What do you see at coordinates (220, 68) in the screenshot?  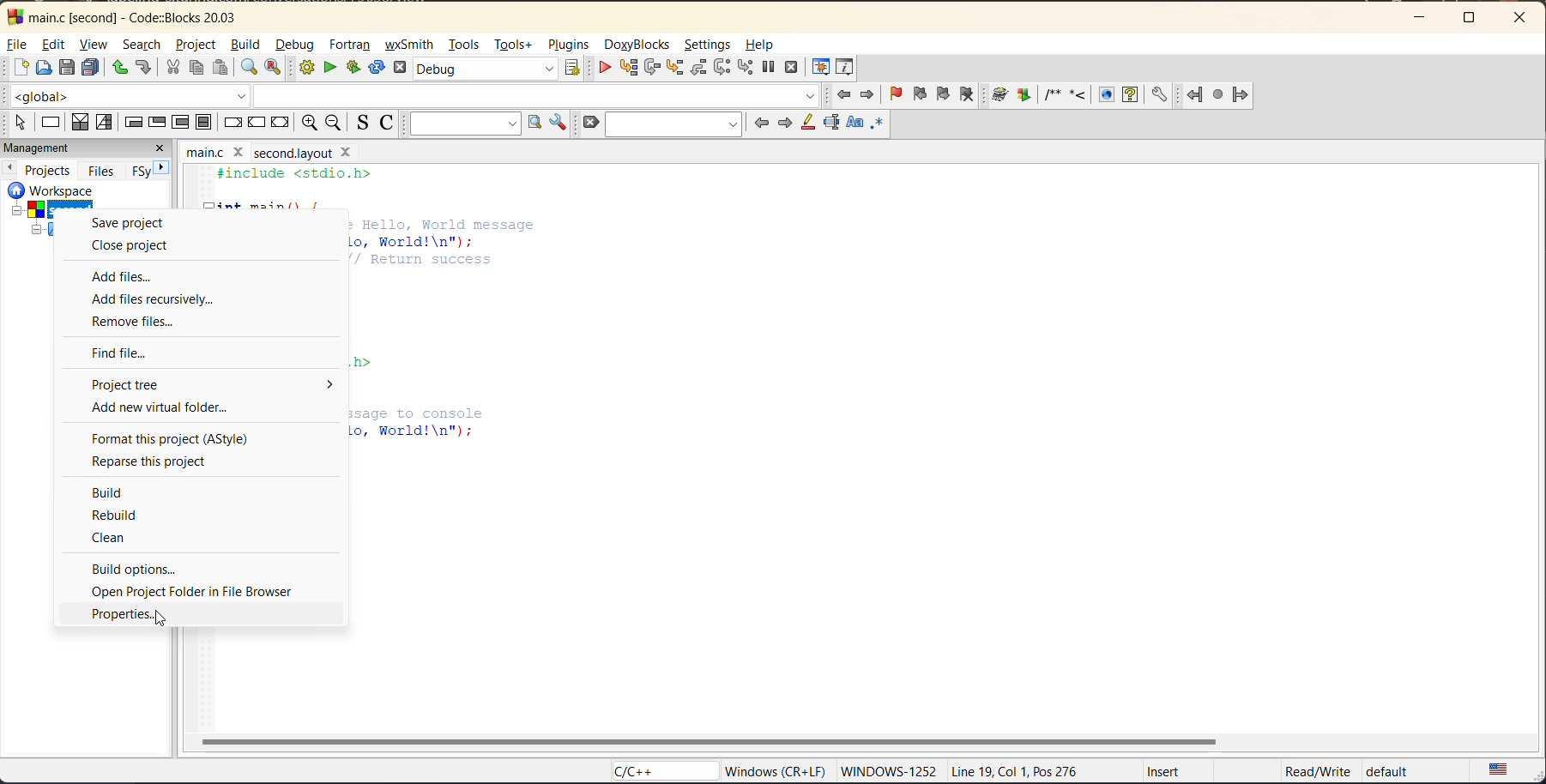 I see `paste` at bounding box center [220, 68].